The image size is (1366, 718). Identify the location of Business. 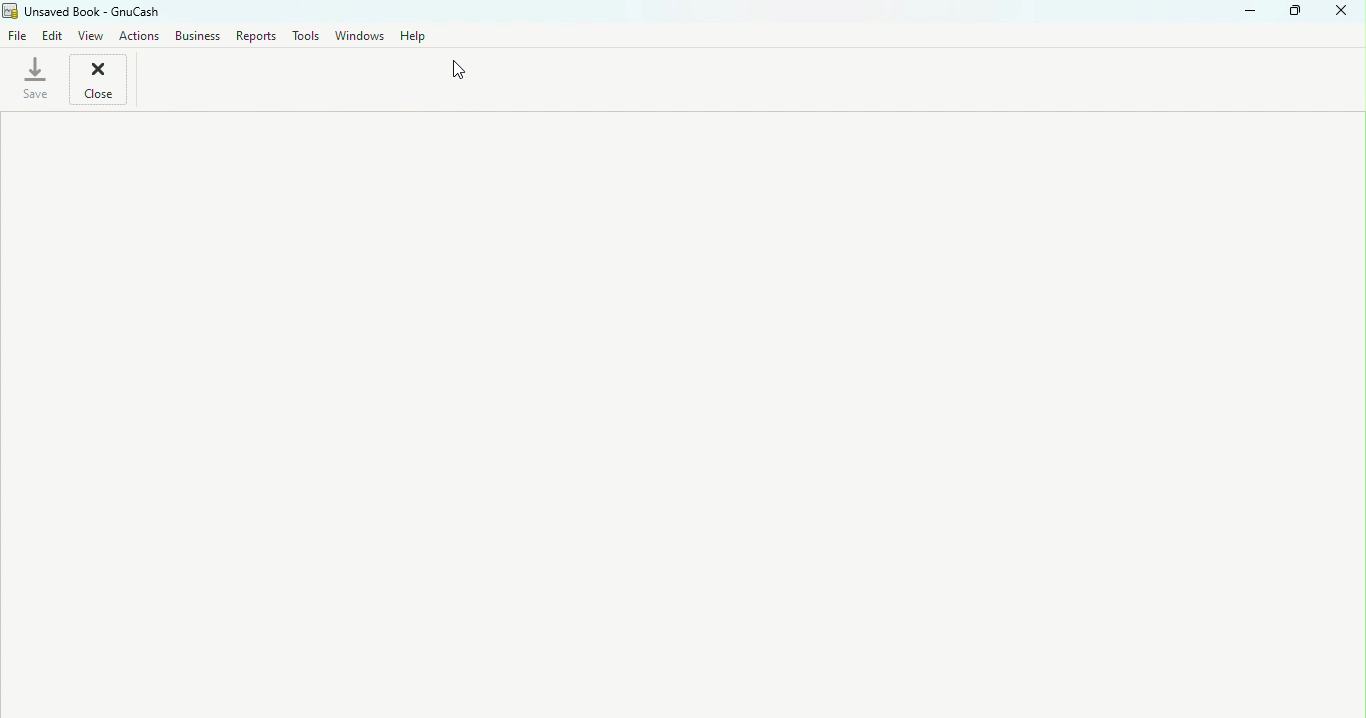
(201, 38).